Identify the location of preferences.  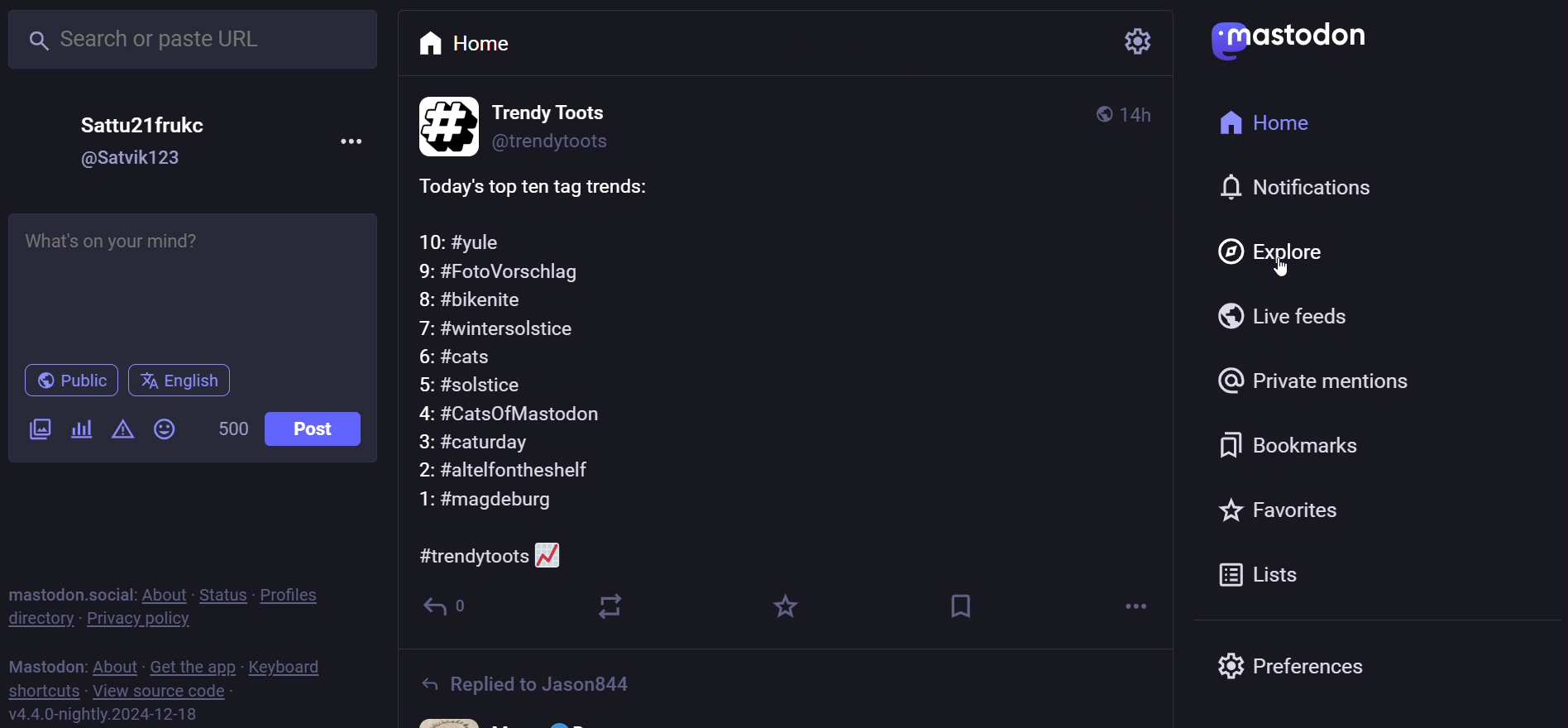
(1336, 666).